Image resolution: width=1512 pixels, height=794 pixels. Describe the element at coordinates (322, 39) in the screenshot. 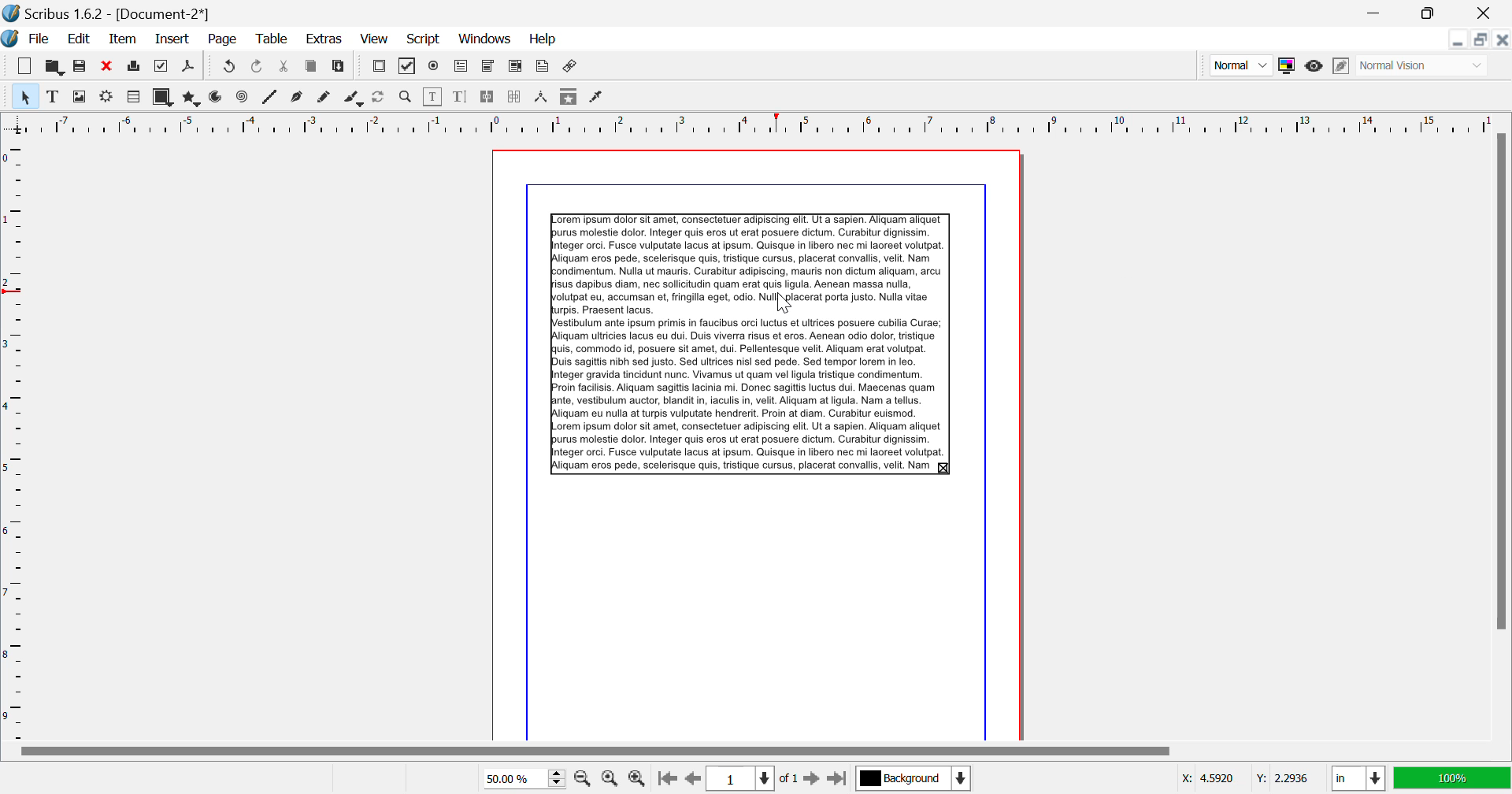

I see `Extras` at that location.